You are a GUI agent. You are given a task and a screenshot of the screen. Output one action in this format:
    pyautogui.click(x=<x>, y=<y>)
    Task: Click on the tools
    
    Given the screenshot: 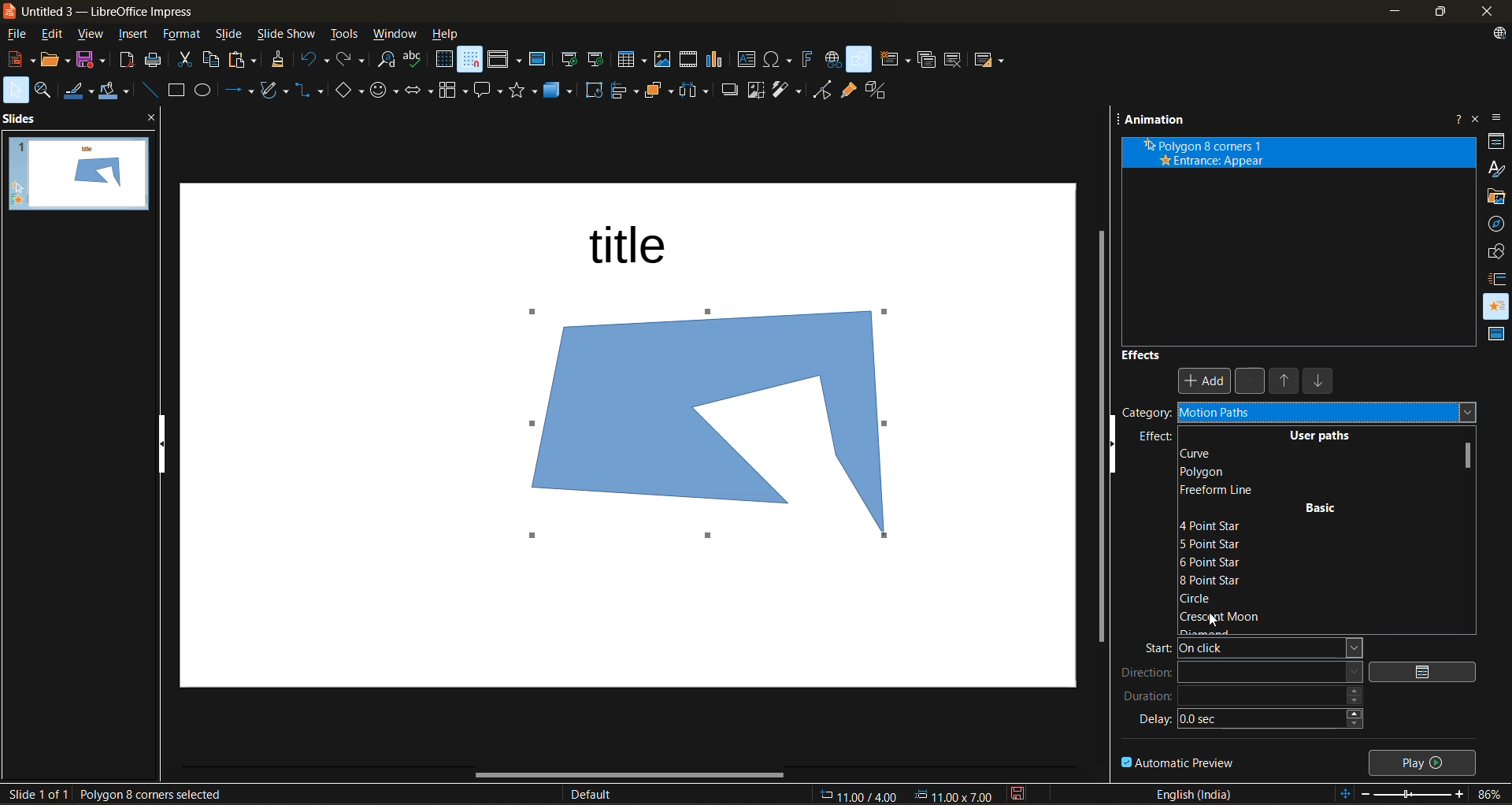 What is the action you would take?
    pyautogui.click(x=350, y=35)
    